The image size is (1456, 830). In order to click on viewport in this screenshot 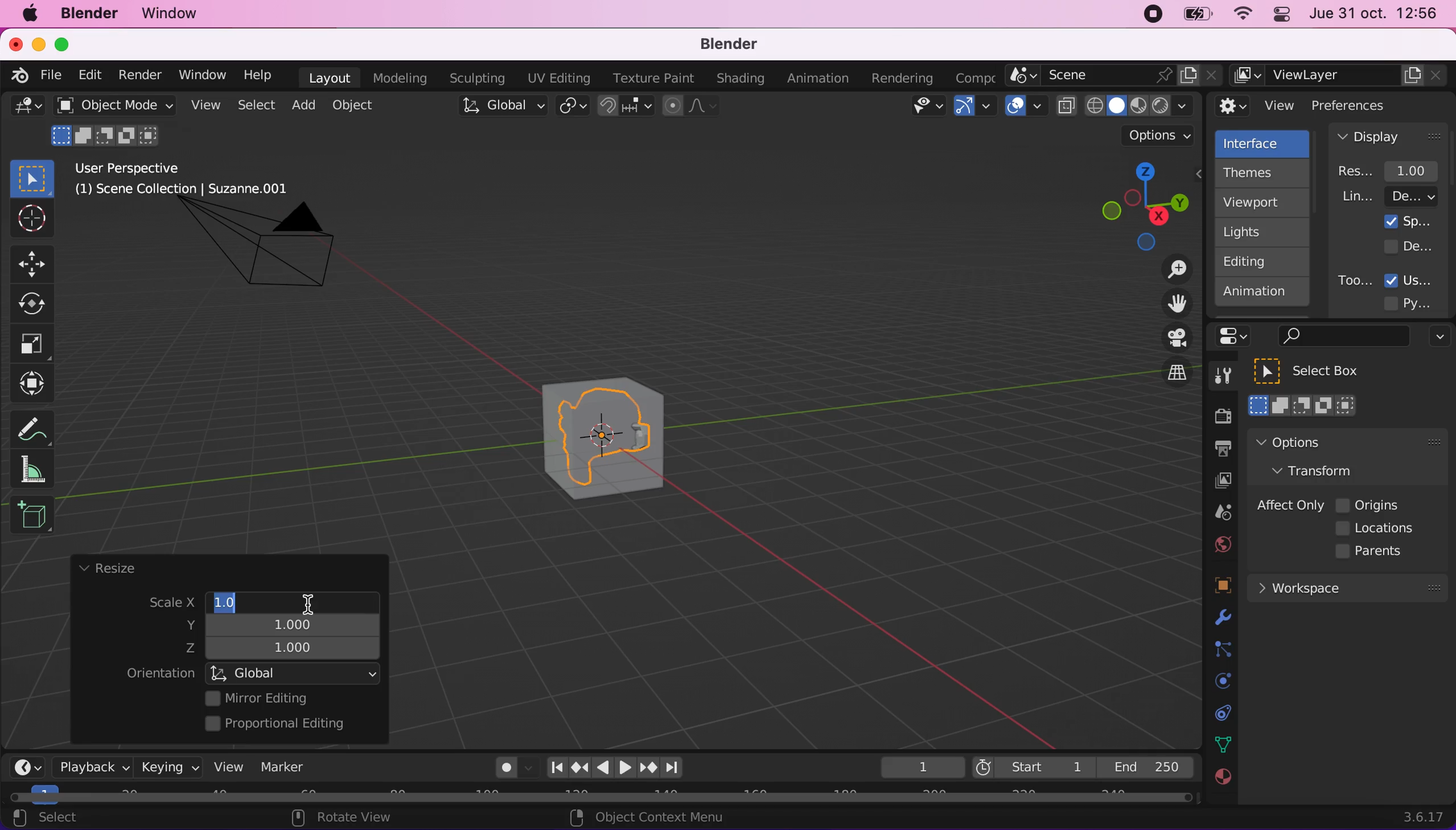, I will do `click(1265, 202)`.